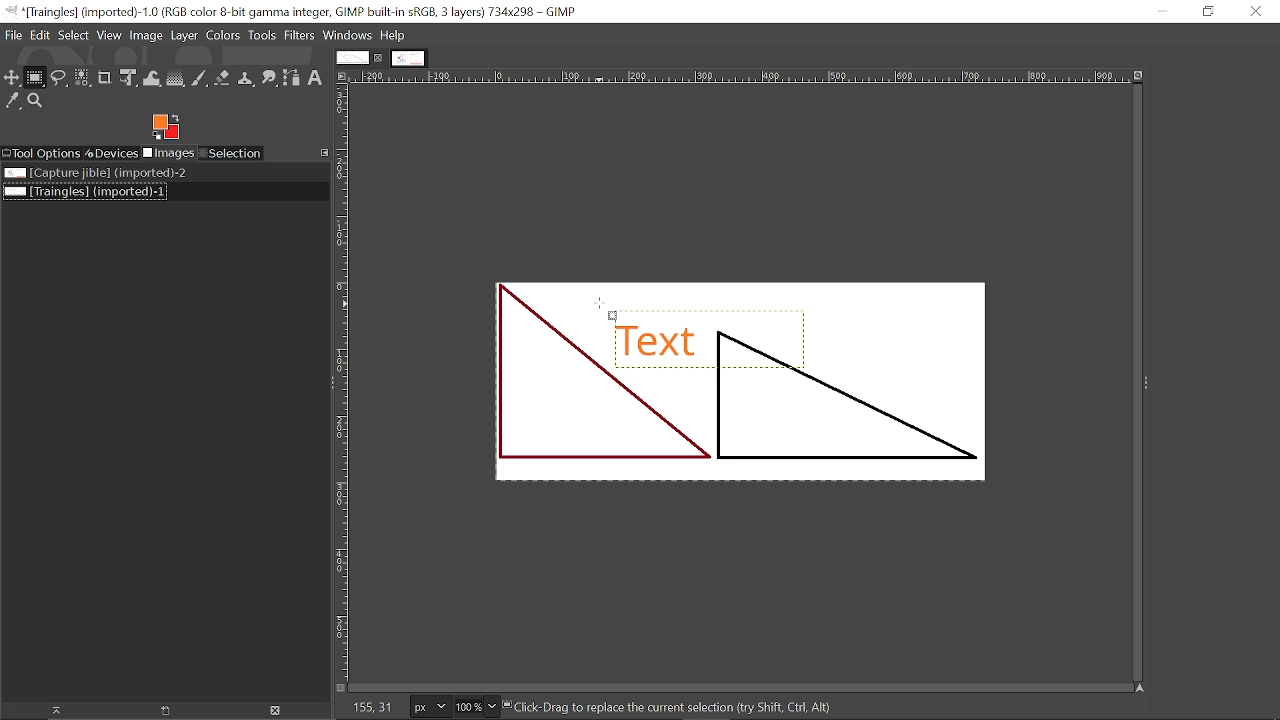 The width and height of the screenshot is (1280, 720). What do you see at coordinates (711, 385) in the screenshot?
I see `Current Image` at bounding box center [711, 385].